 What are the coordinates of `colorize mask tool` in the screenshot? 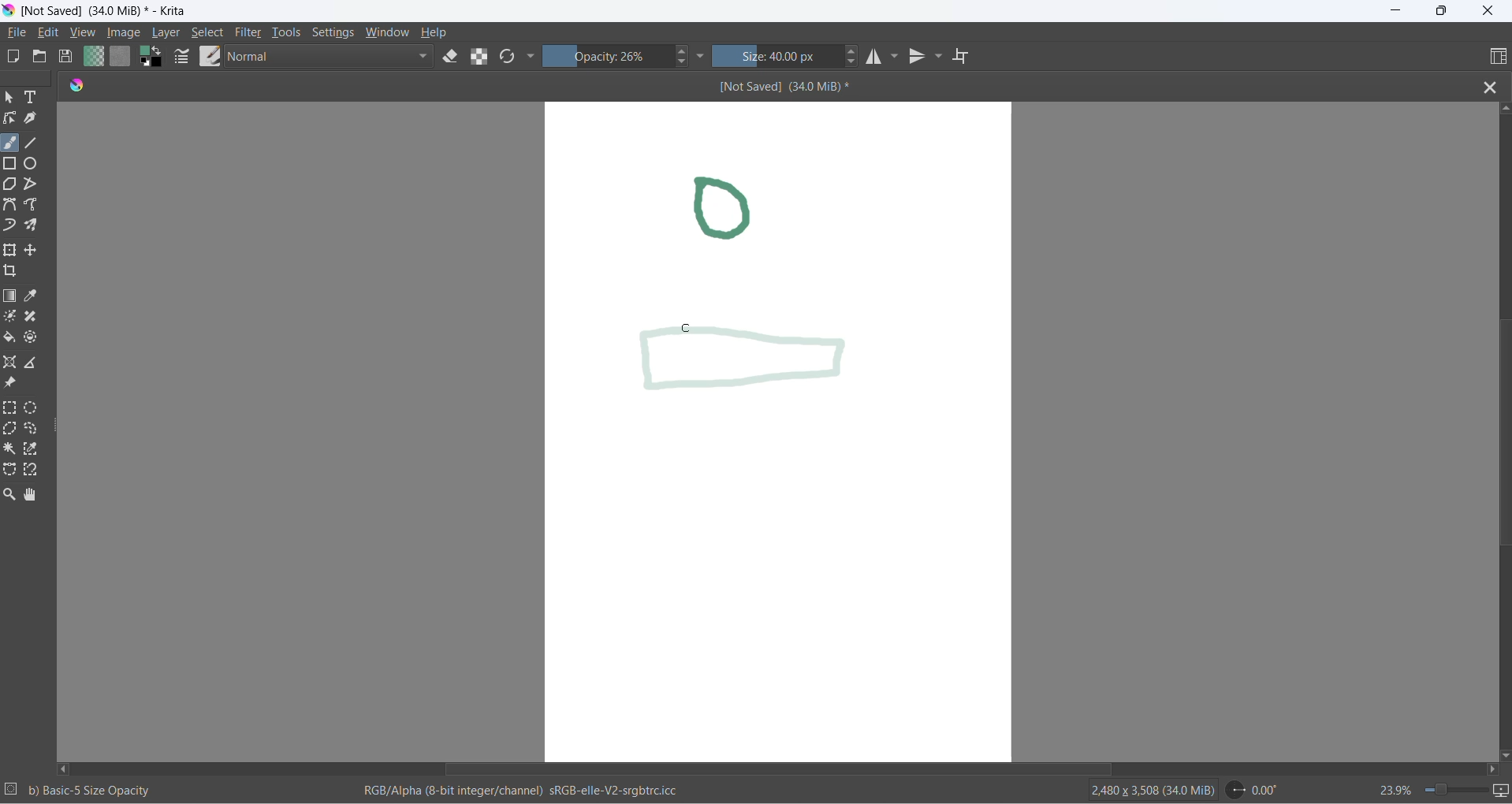 It's located at (12, 317).